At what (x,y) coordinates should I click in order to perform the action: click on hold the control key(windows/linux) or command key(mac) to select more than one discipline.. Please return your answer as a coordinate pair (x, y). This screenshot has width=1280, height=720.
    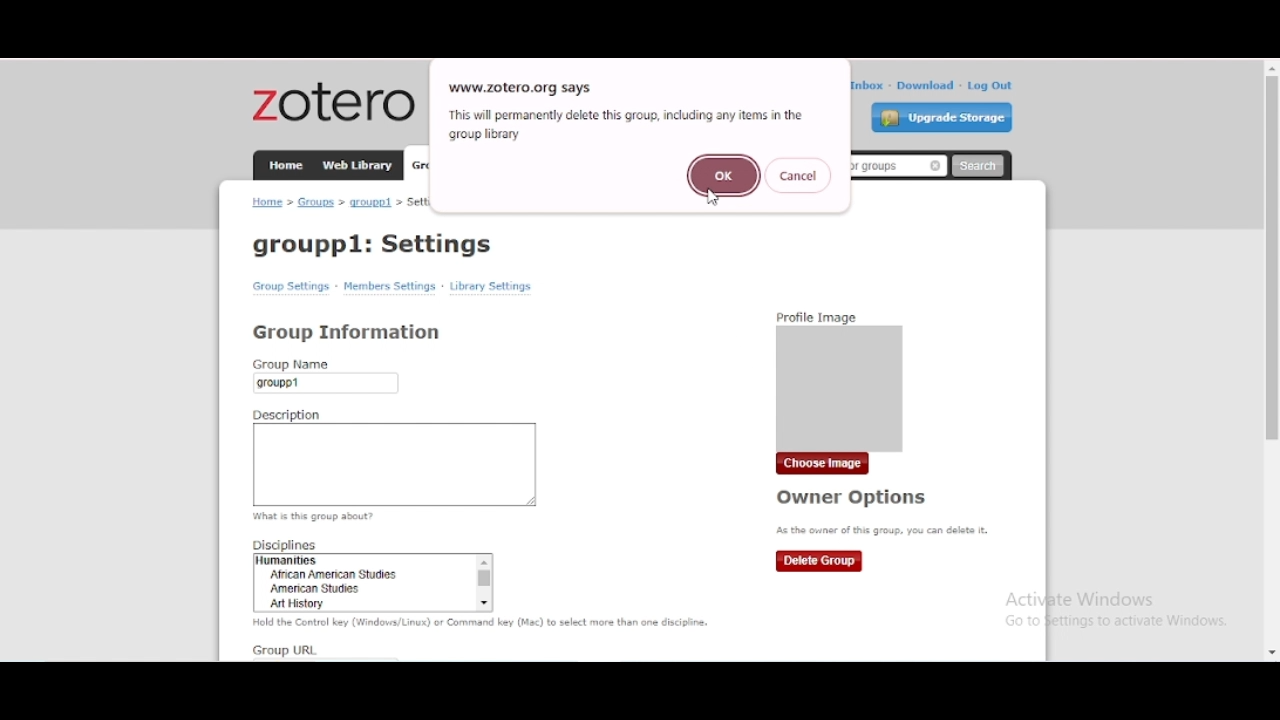
    Looking at the image, I should click on (483, 623).